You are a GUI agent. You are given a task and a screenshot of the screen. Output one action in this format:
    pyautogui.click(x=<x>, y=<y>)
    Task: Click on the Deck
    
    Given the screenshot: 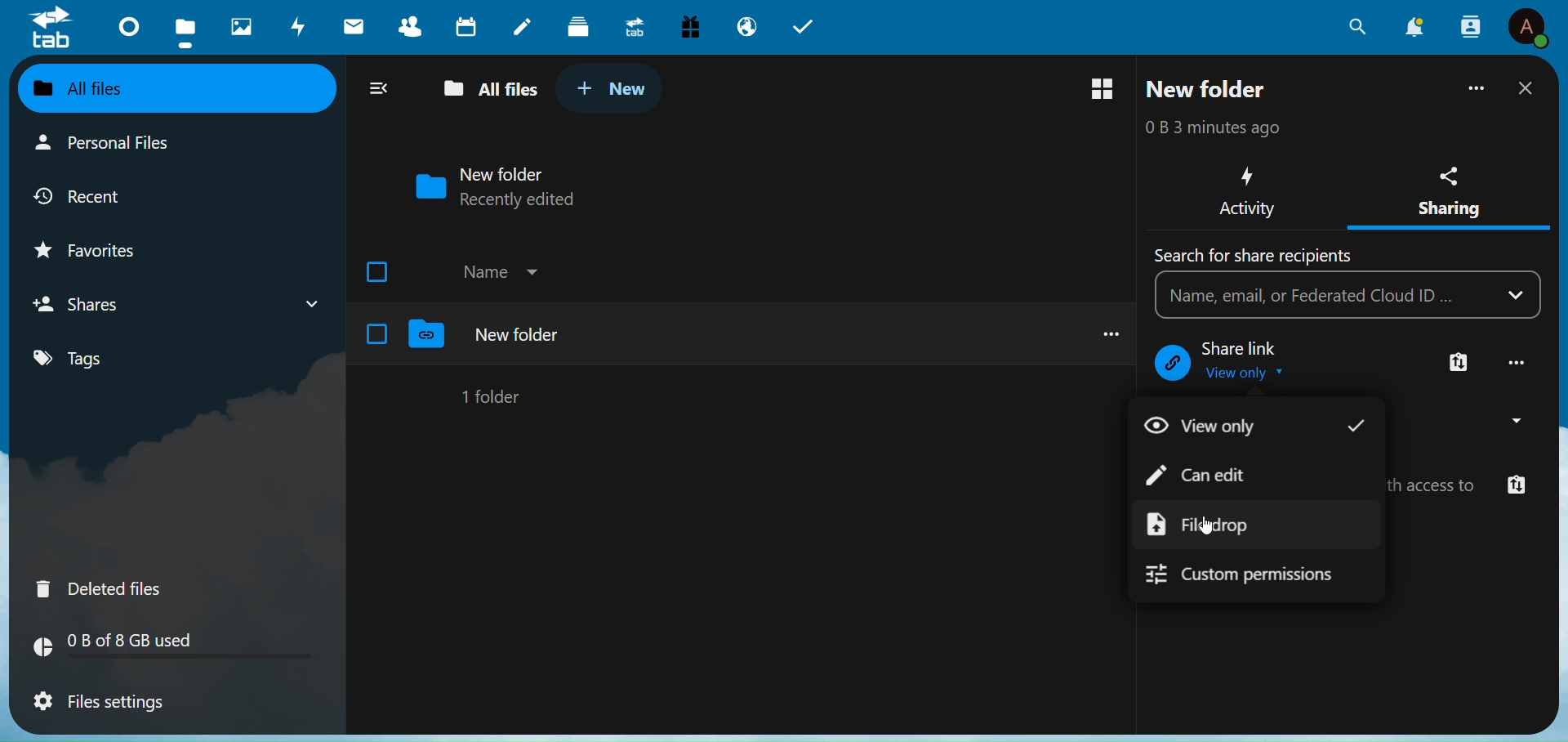 What is the action you would take?
    pyautogui.click(x=576, y=24)
    